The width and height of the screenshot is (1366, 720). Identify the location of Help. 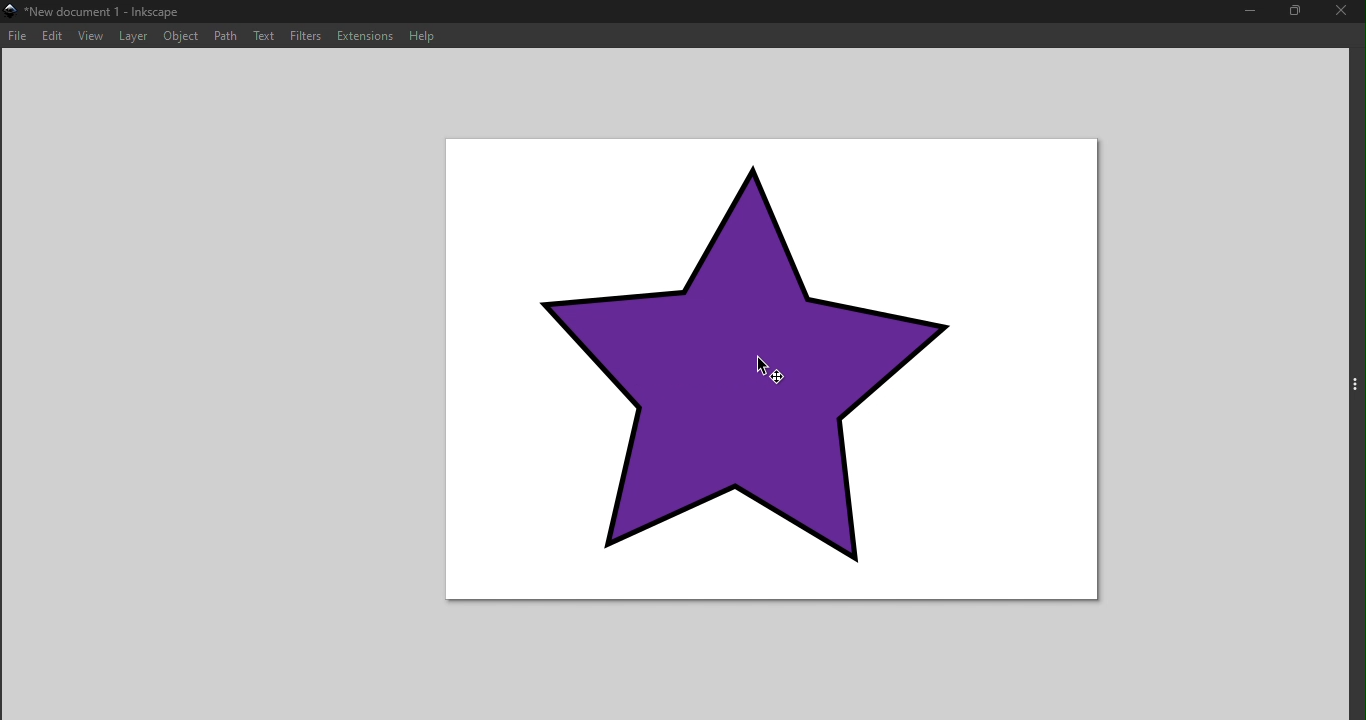
(423, 33).